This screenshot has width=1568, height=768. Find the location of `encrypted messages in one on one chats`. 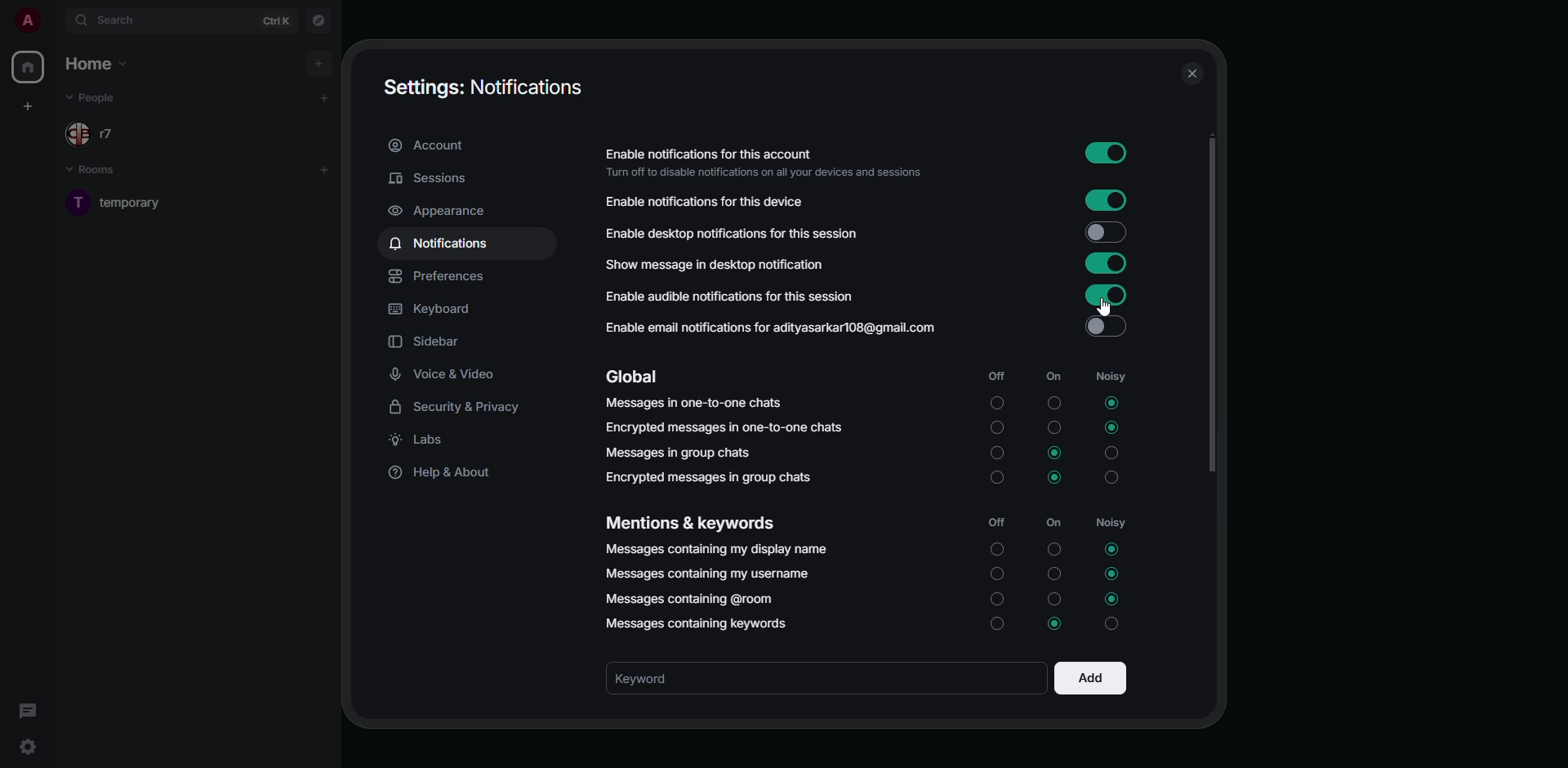

encrypted messages in one on one chats is located at coordinates (724, 428).